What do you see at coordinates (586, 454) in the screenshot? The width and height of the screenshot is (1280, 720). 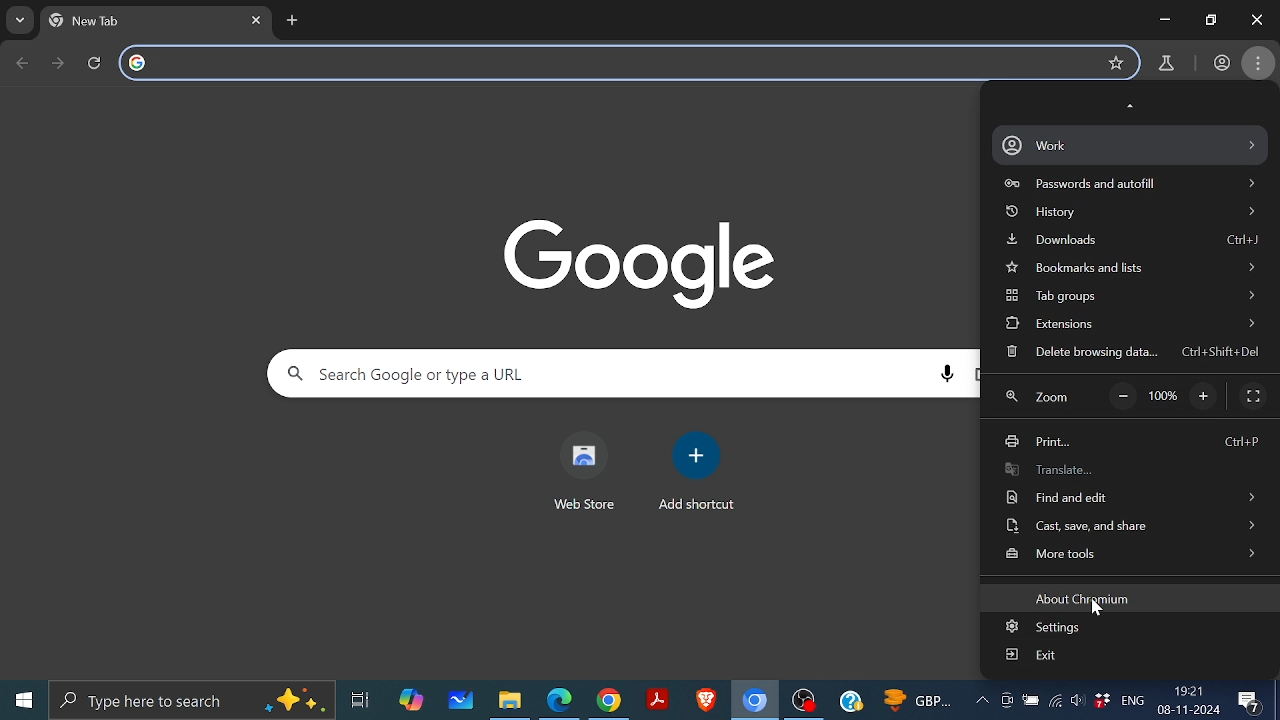 I see `Web store` at bounding box center [586, 454].